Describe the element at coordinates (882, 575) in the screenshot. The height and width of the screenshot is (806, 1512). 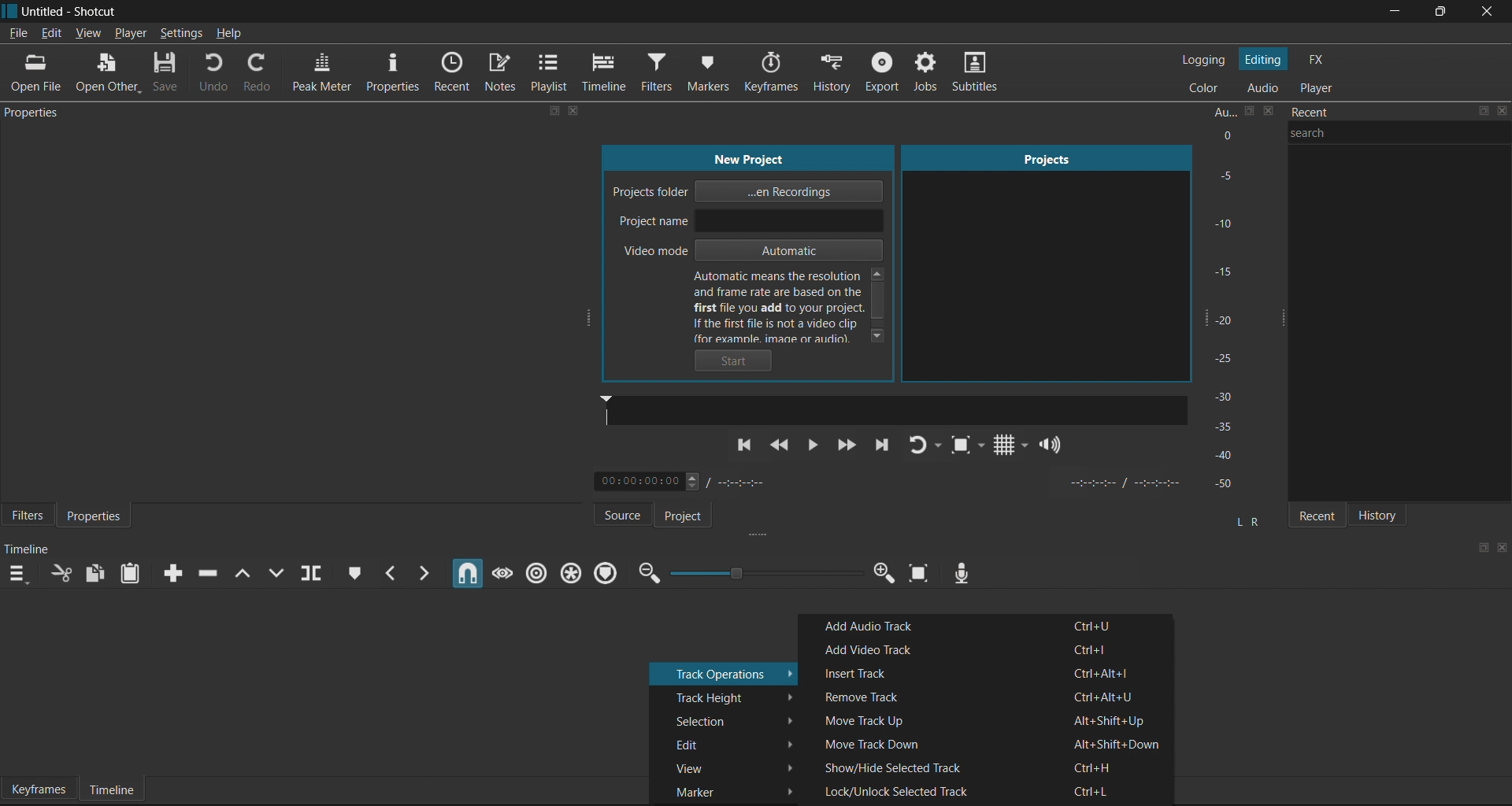
I see `Zoom in` at that location.